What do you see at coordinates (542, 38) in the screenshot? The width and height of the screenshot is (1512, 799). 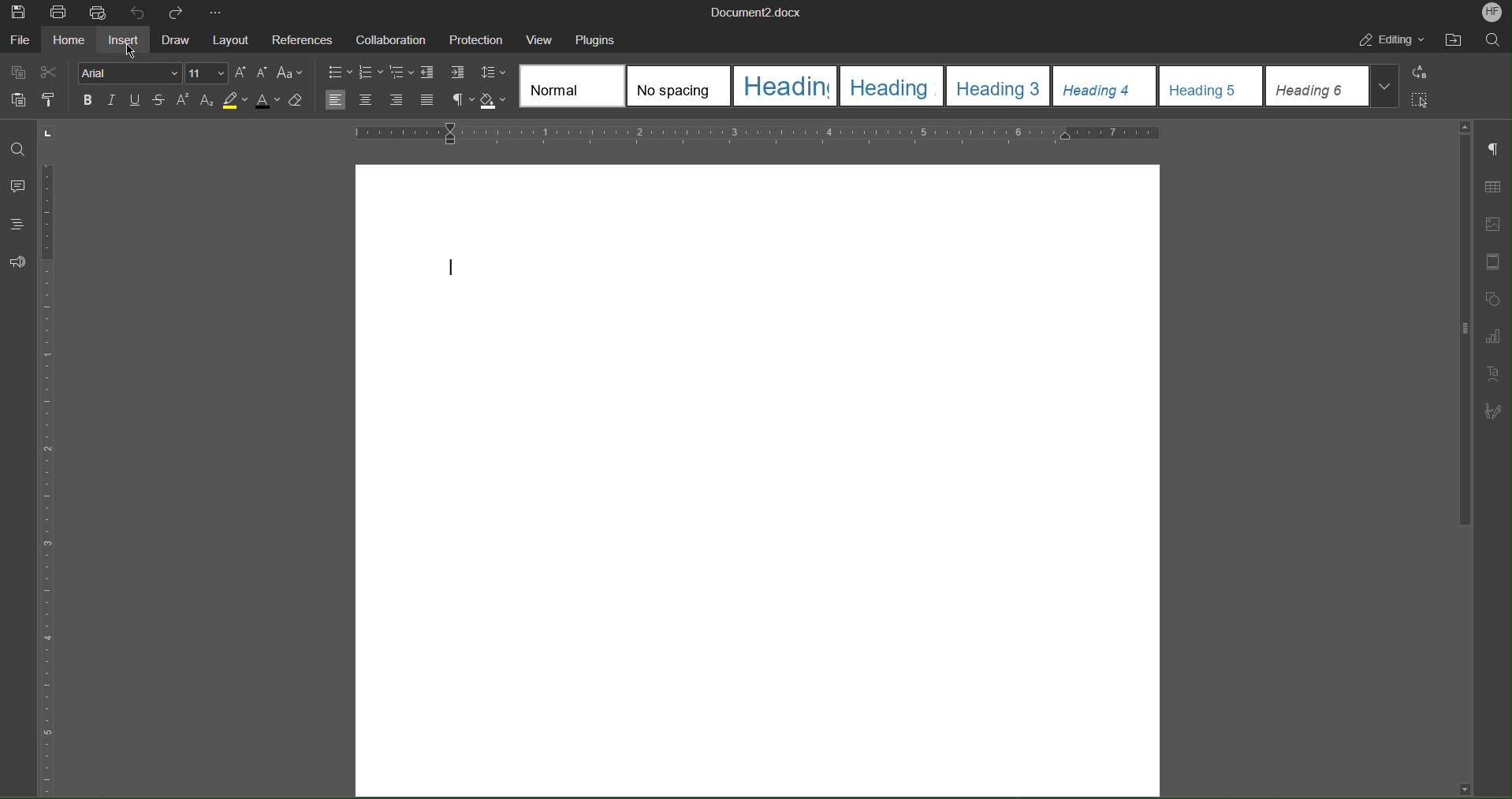 I see `View` at bounding box center [542, 38].